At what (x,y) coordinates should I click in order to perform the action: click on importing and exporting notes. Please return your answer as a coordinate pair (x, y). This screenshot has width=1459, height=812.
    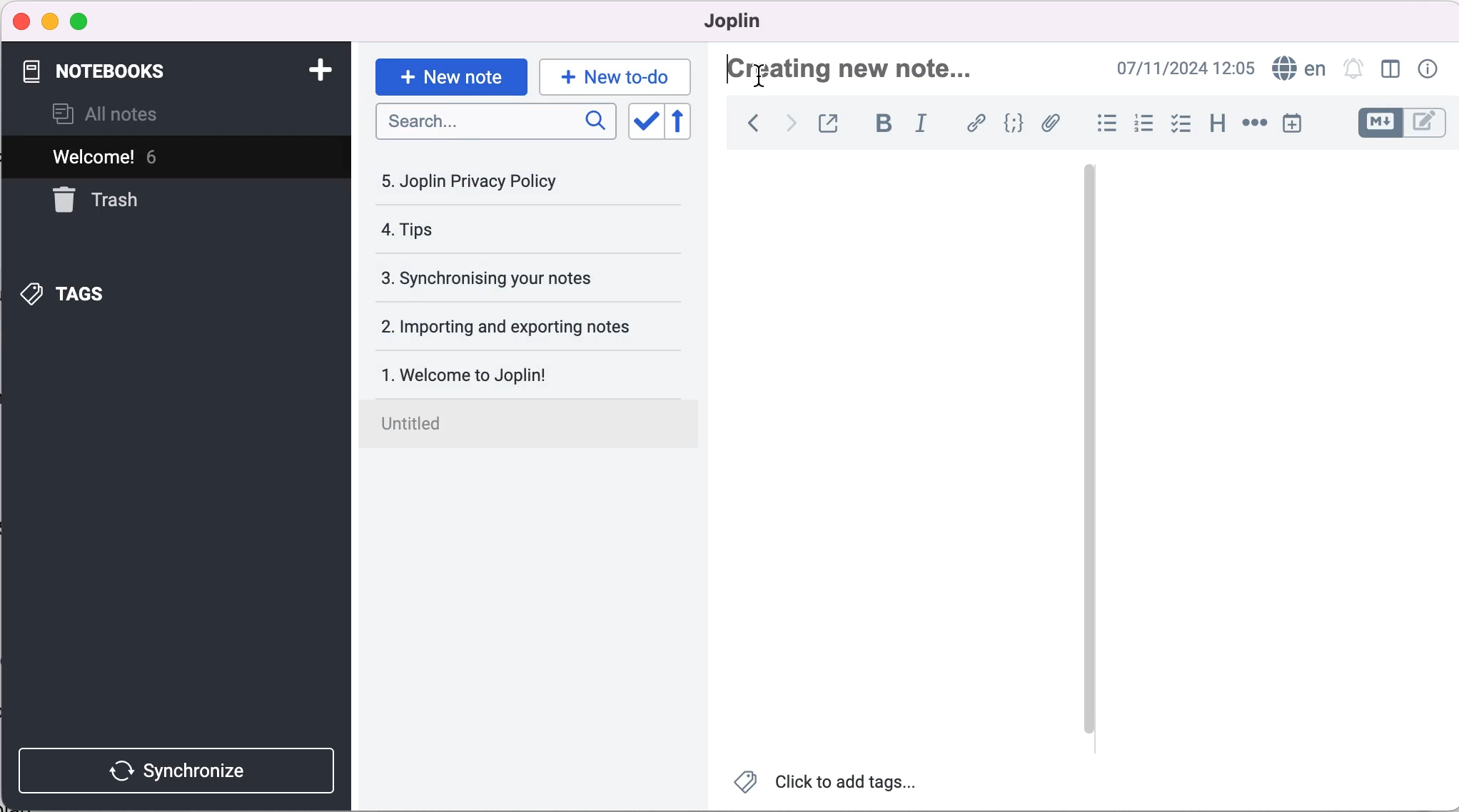
    Looking at the image, I should click on (515, 326).